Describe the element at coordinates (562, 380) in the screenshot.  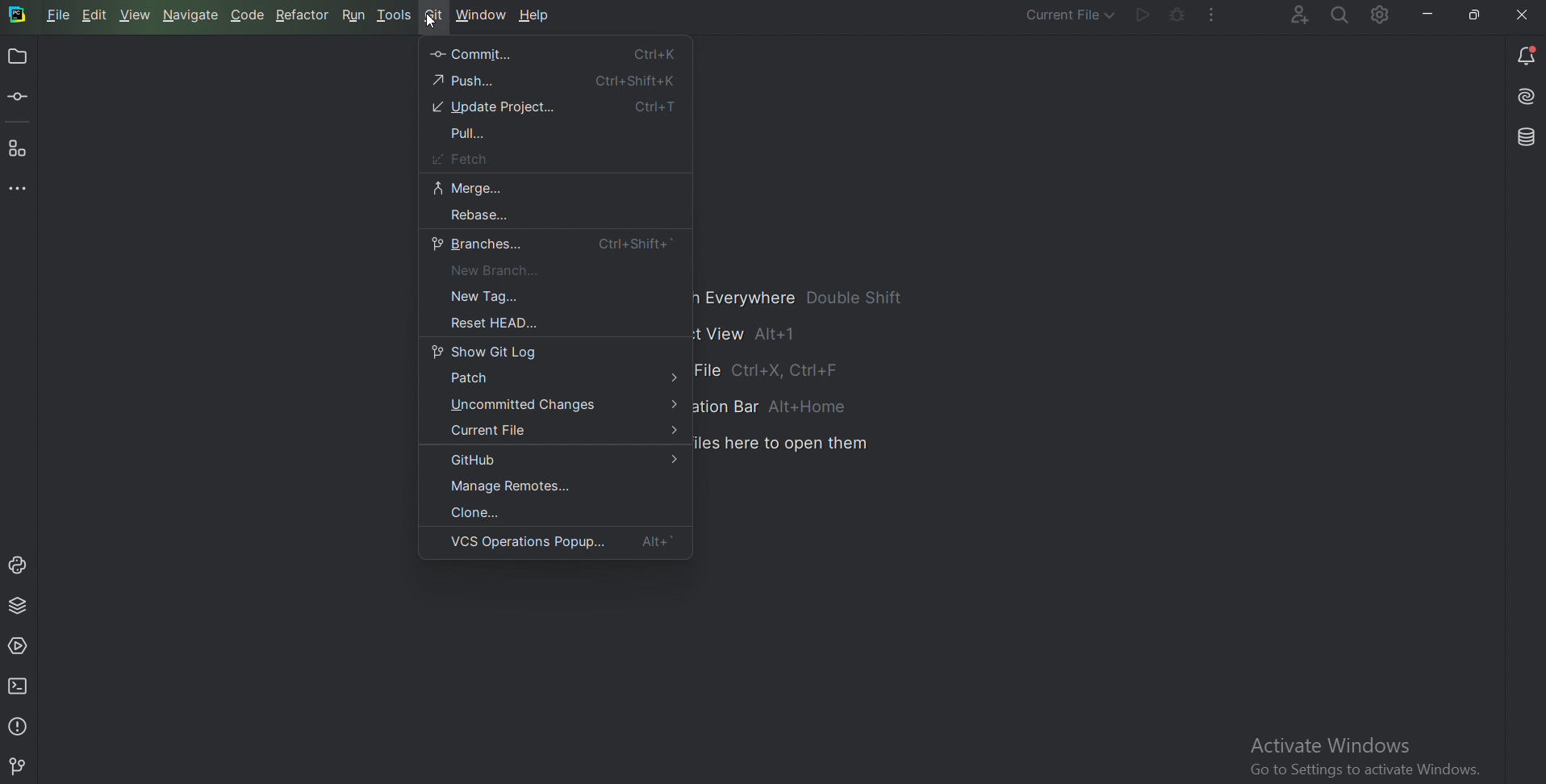
I see `Patch` at that location.